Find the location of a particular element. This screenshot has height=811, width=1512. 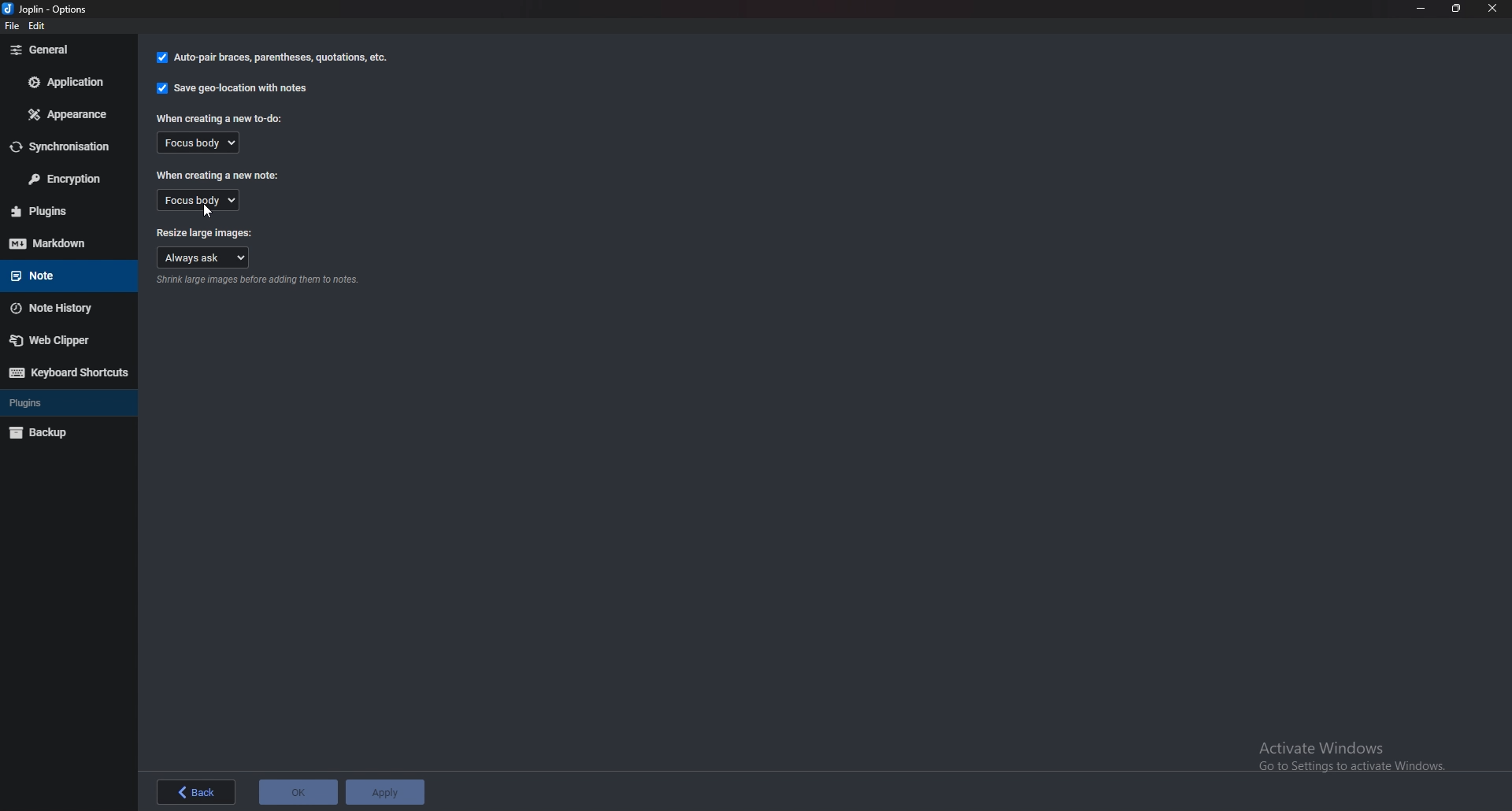

cursor is located at coordinates (208, 213).